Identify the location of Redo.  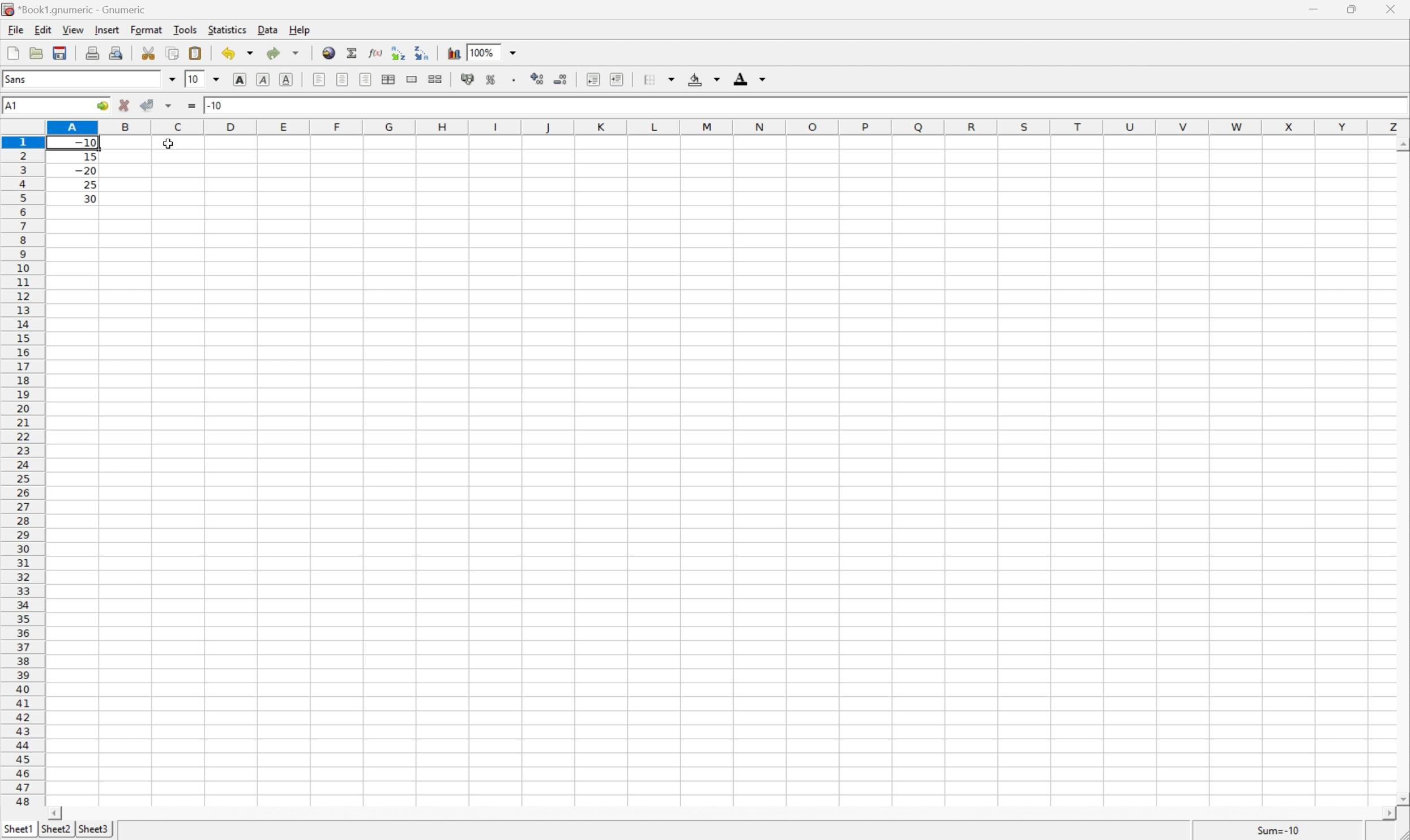
(285, 54).